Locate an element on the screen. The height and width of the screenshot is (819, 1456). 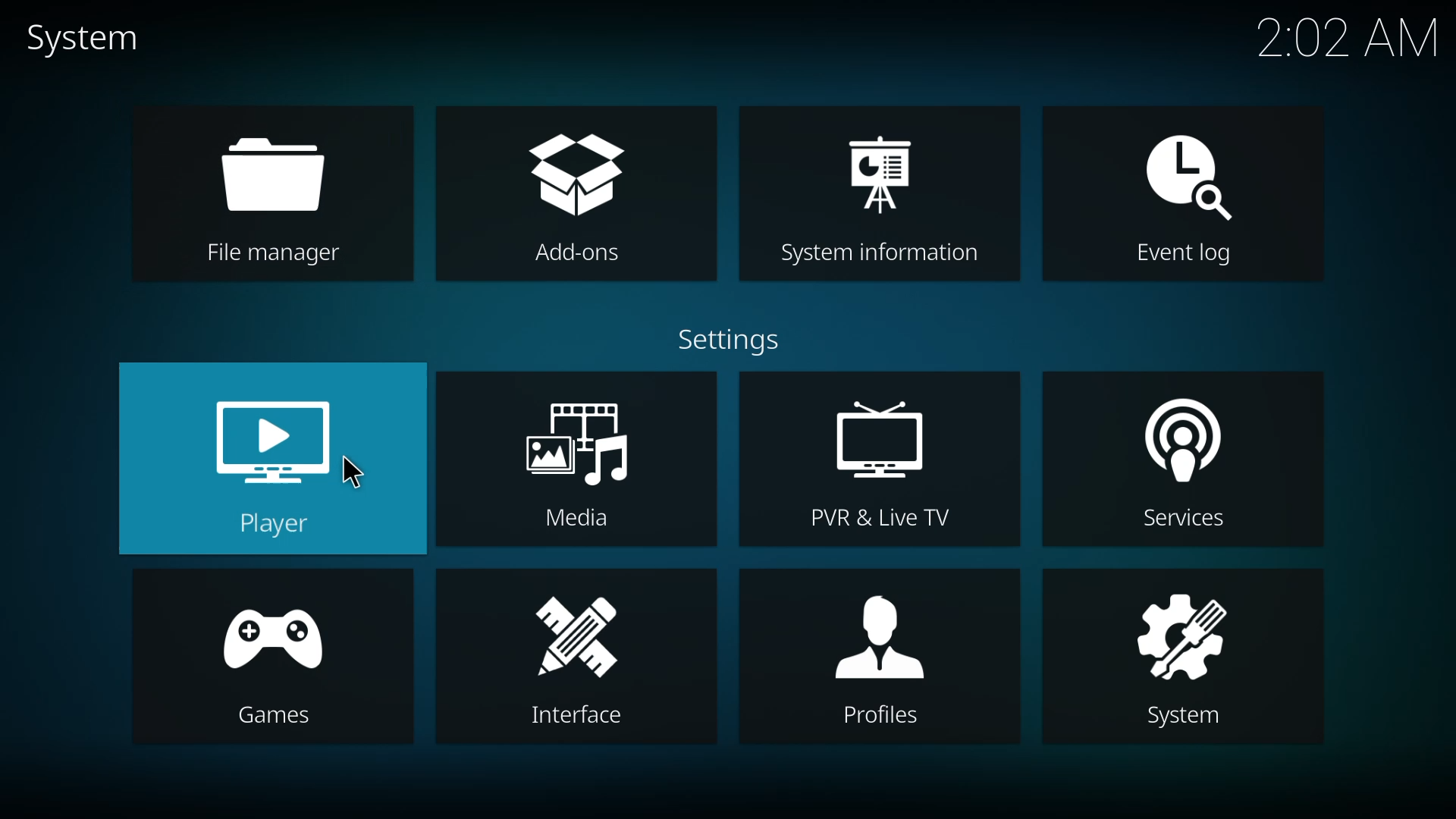
interface is located at coordinates (576, 658).